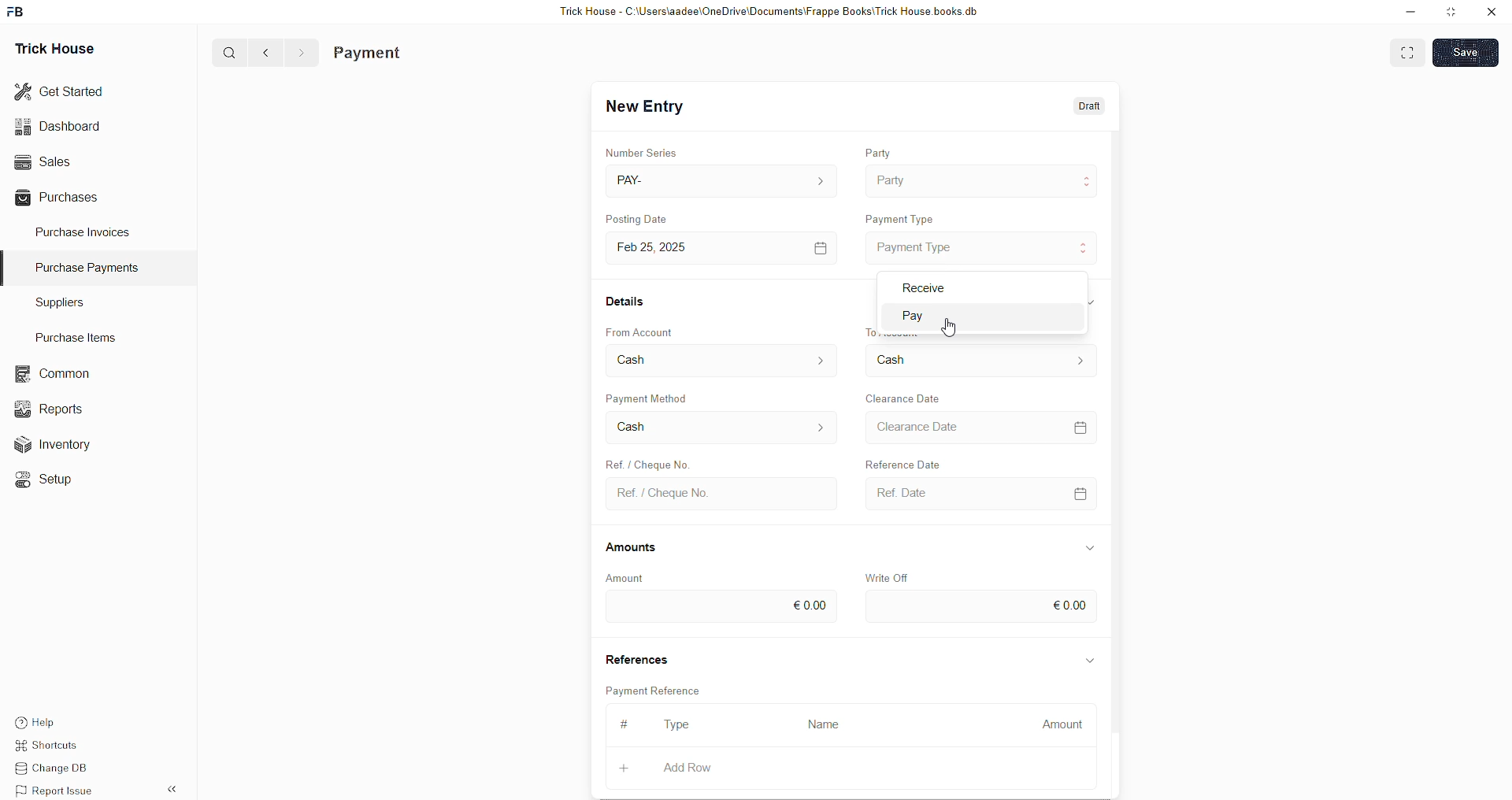  Describe the element at coordinates (649, 107) in the screenshot. I see `New Entry` at that location.